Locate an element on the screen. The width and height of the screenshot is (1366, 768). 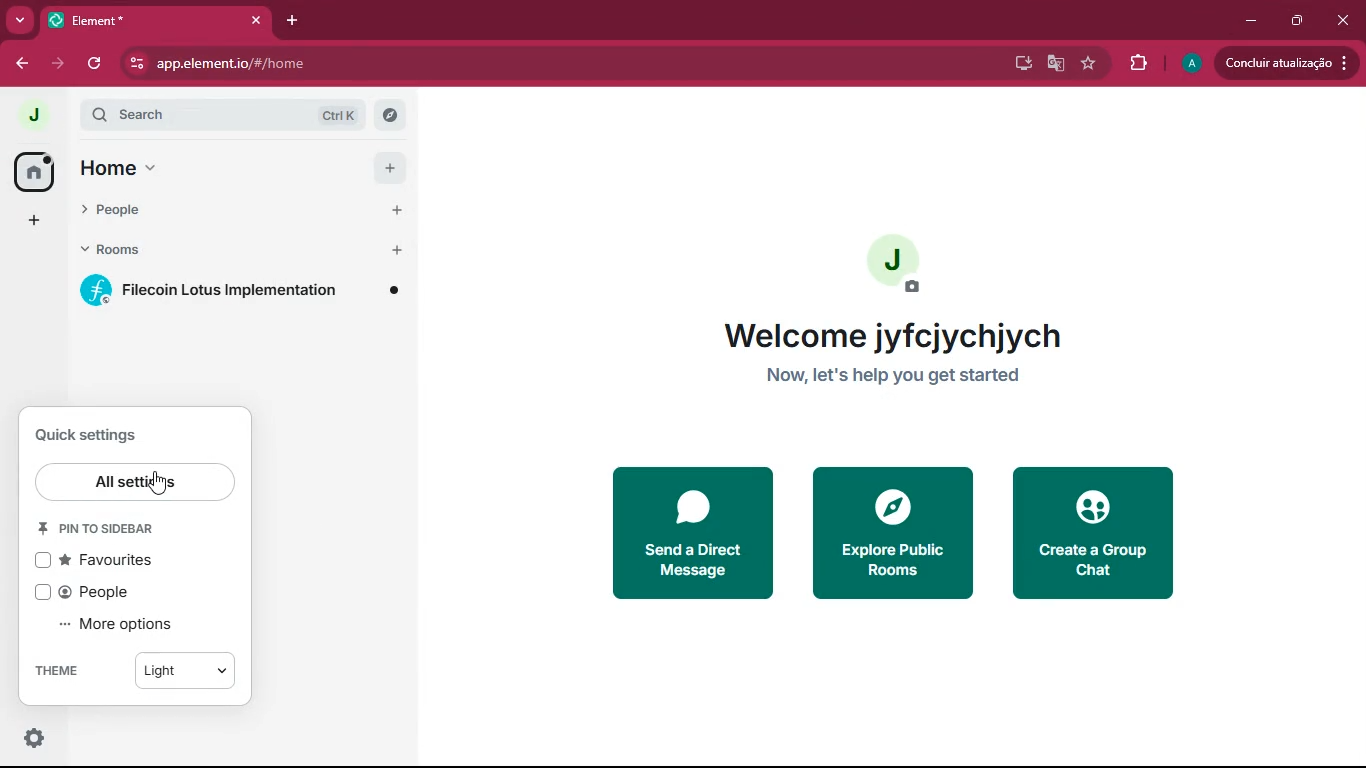
filecoin lotus implementation  is located at coordinates (239, 292).